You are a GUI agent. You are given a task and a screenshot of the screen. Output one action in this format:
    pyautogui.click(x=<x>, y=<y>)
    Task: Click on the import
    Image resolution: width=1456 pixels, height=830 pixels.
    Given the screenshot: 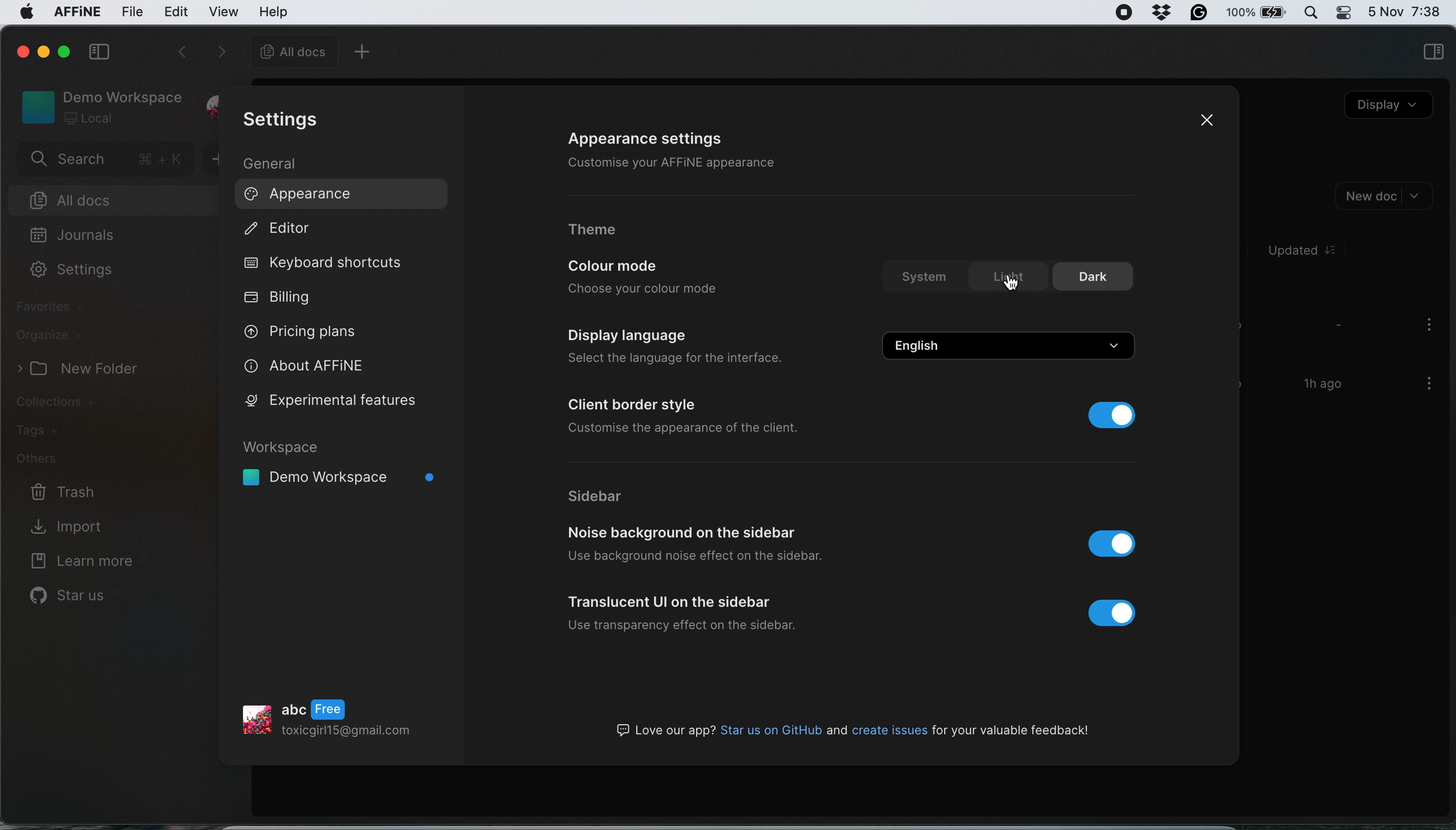 What is the action you would take?
    pyautogui.click(x=82, y=526)
    